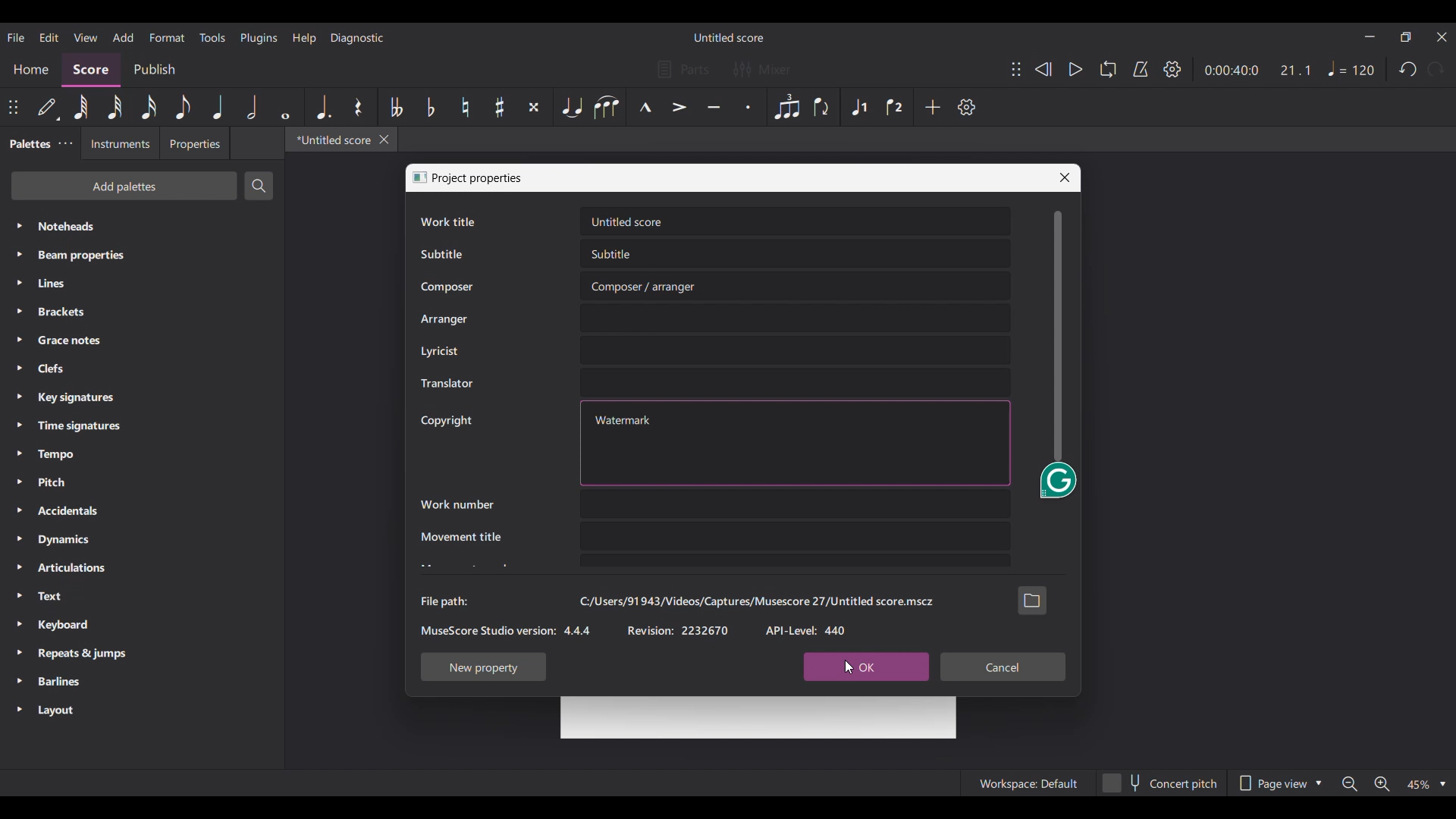 The height and width of the screenshot is (819, 1456). Describe the element at coordinates (896, 107) in the screenshot. I see `Voice 2` at that location.